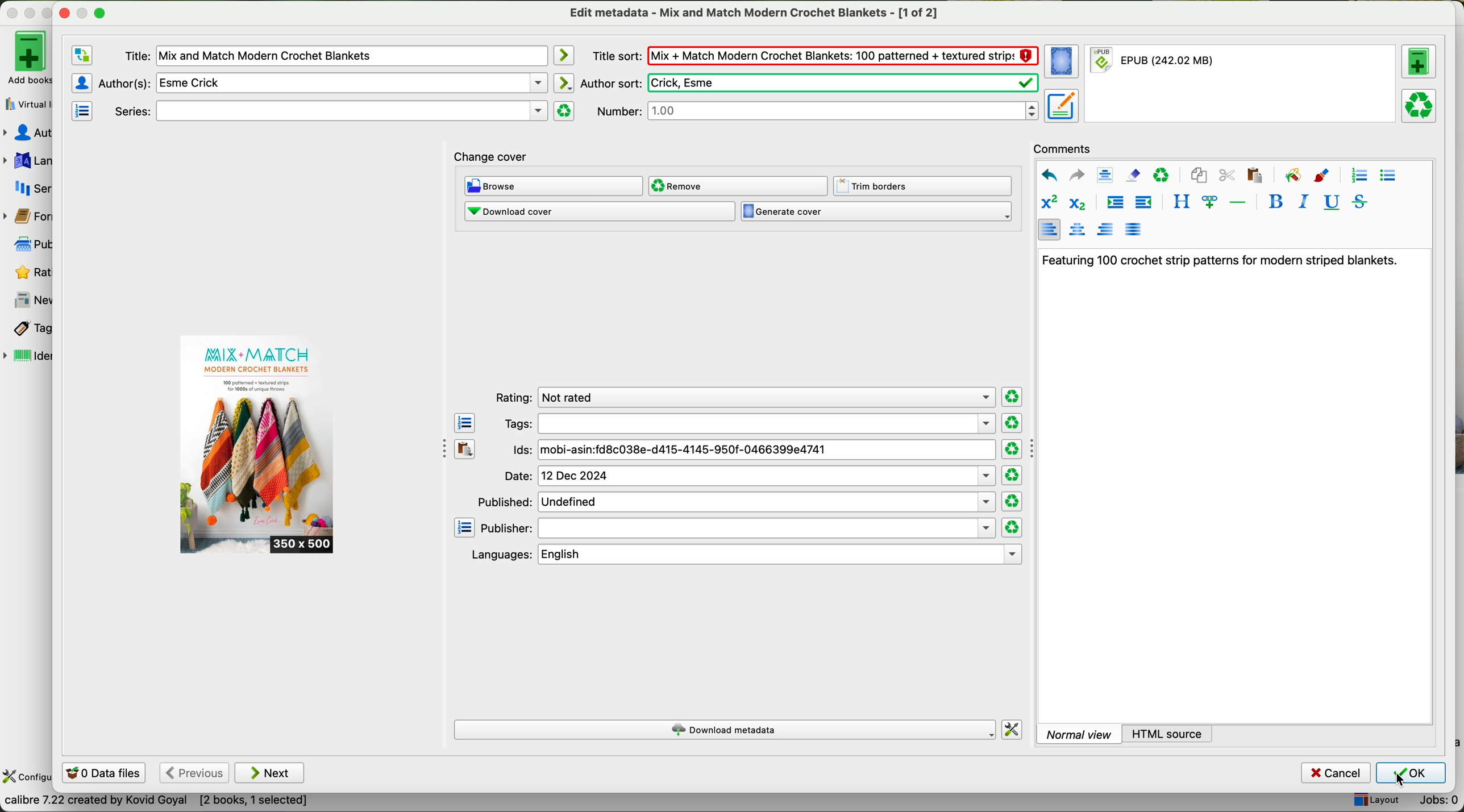 This screenshot has height=812, width=1464. I want to click on clear rating, so click(1013, 502).